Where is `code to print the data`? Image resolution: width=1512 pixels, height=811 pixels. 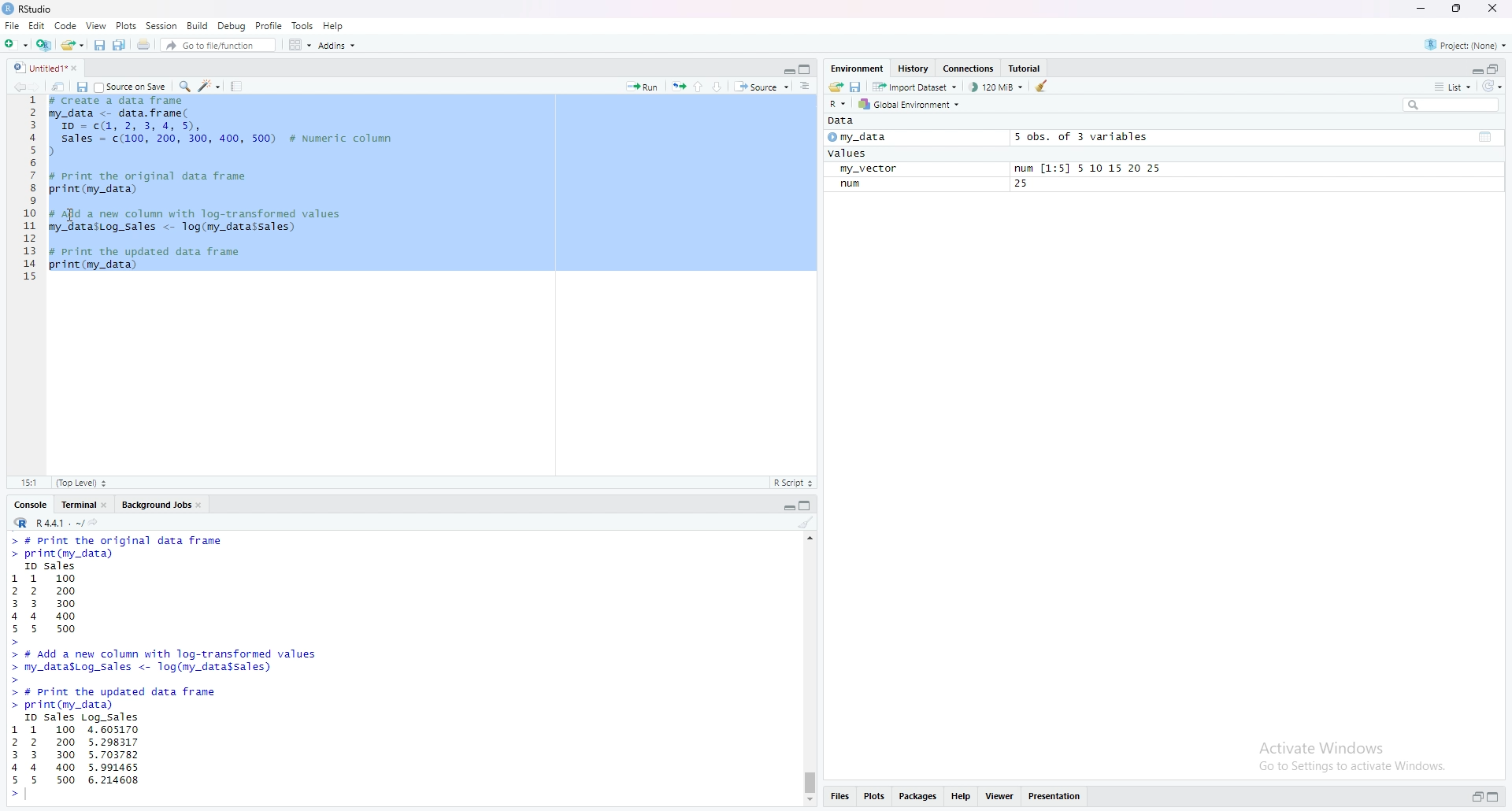 code to print the data is located at coordinates (148, 258).